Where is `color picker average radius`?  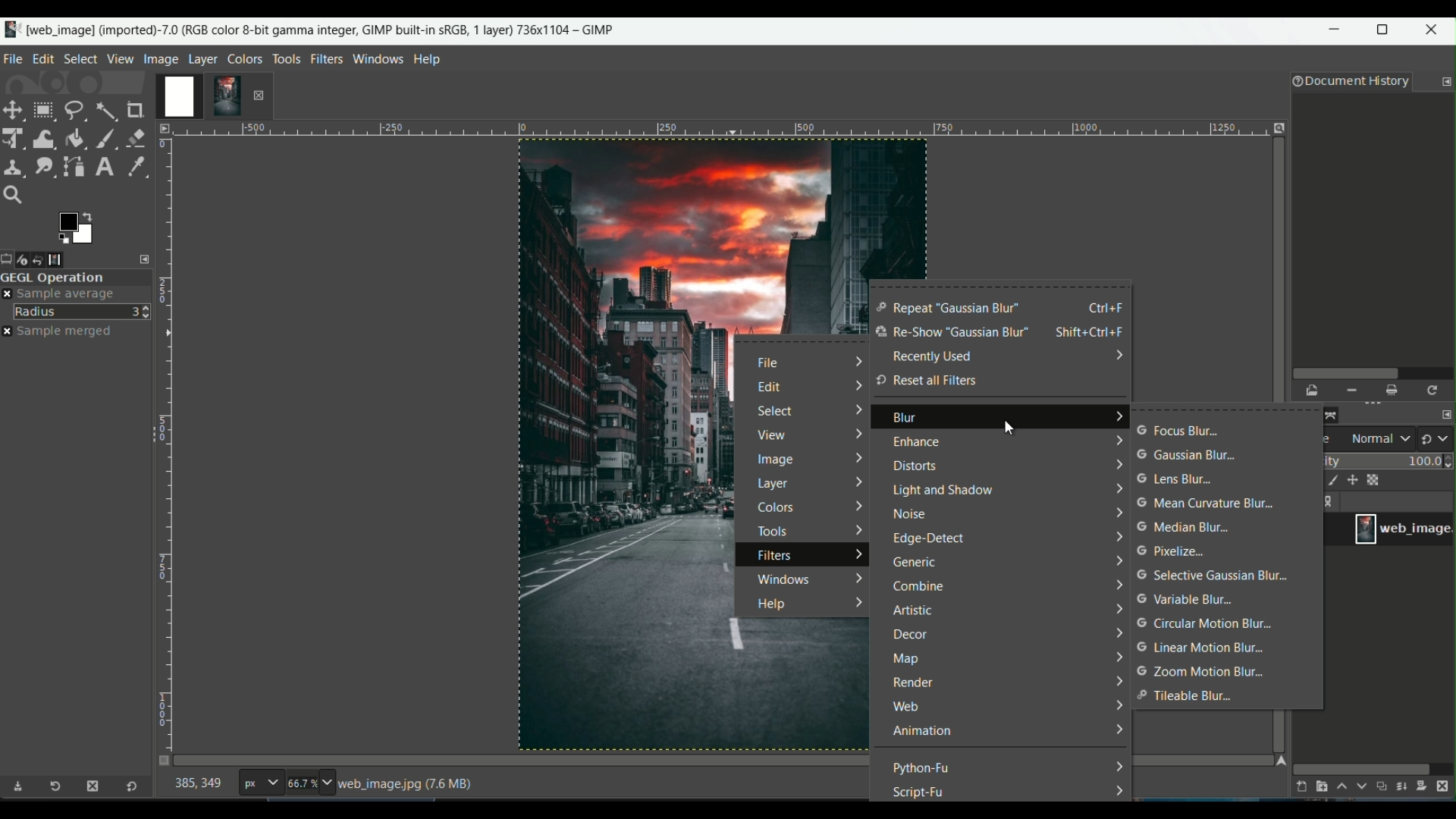
color picker average radius is located at coordinates (83, 311).